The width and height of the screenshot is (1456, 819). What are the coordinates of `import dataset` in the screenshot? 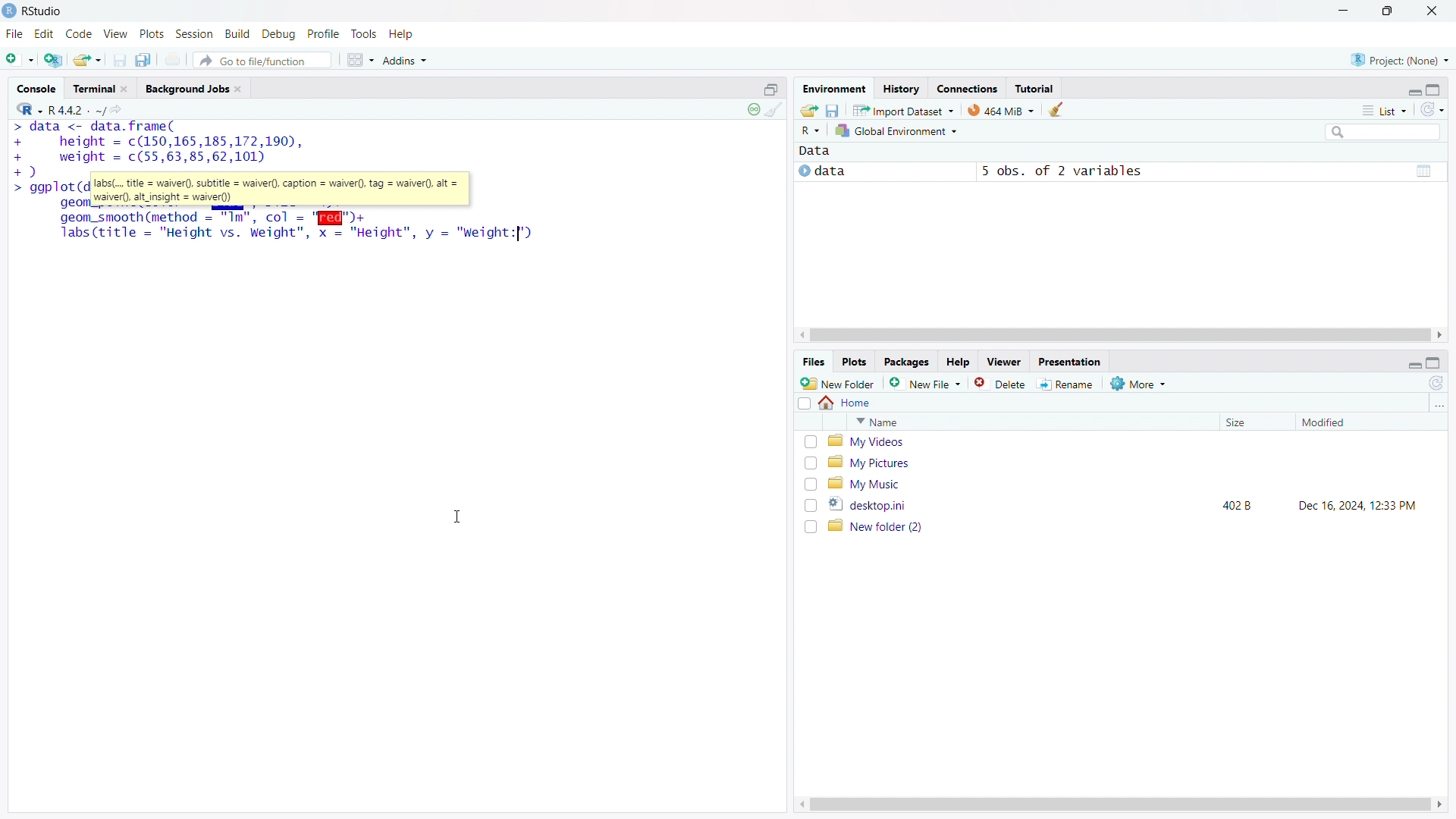 It's located at (904, 109).